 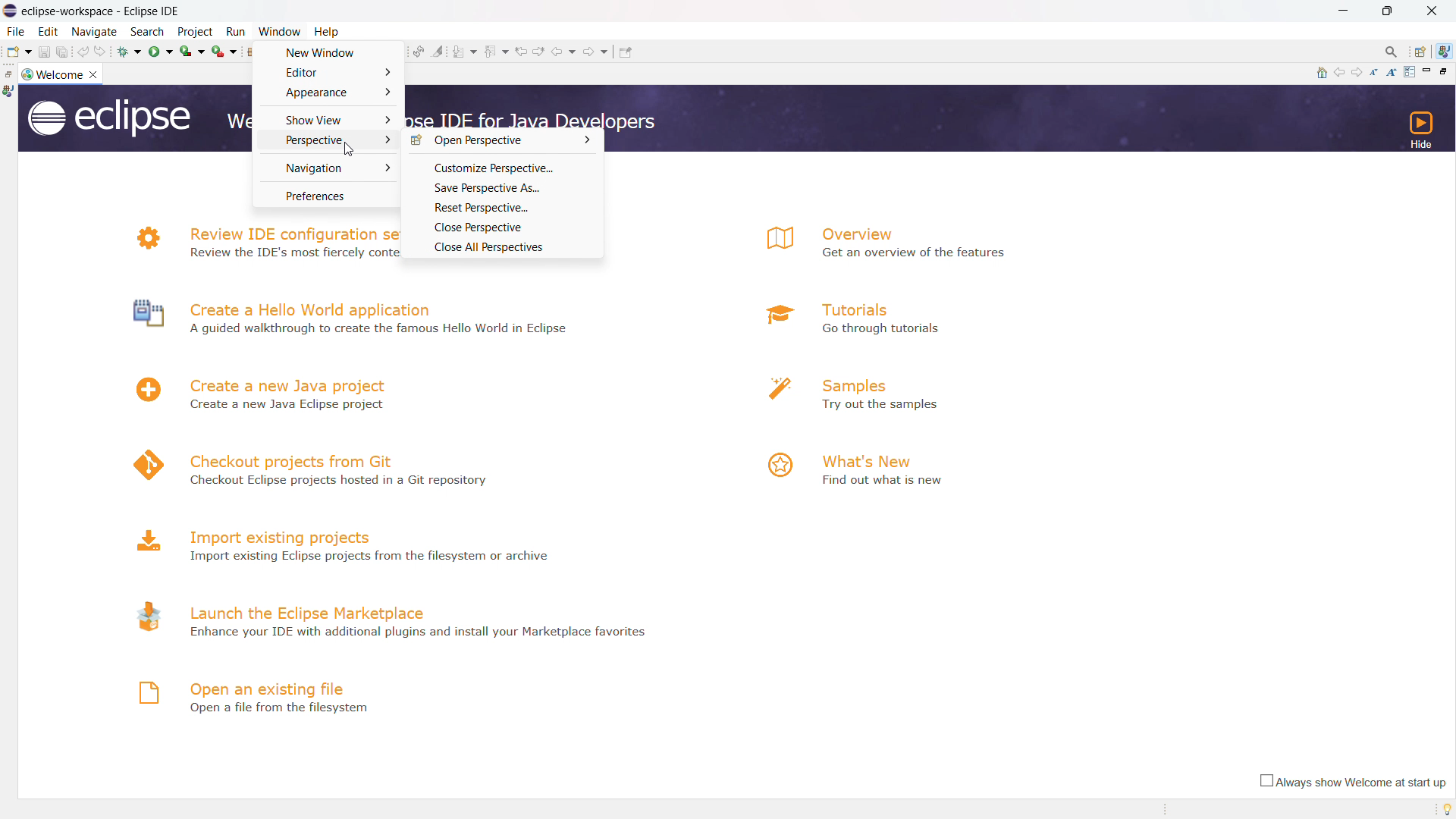 What do you see at coordinates (102, 52) in the screenshot?
I see `redo` at bounding box center [102, 52].